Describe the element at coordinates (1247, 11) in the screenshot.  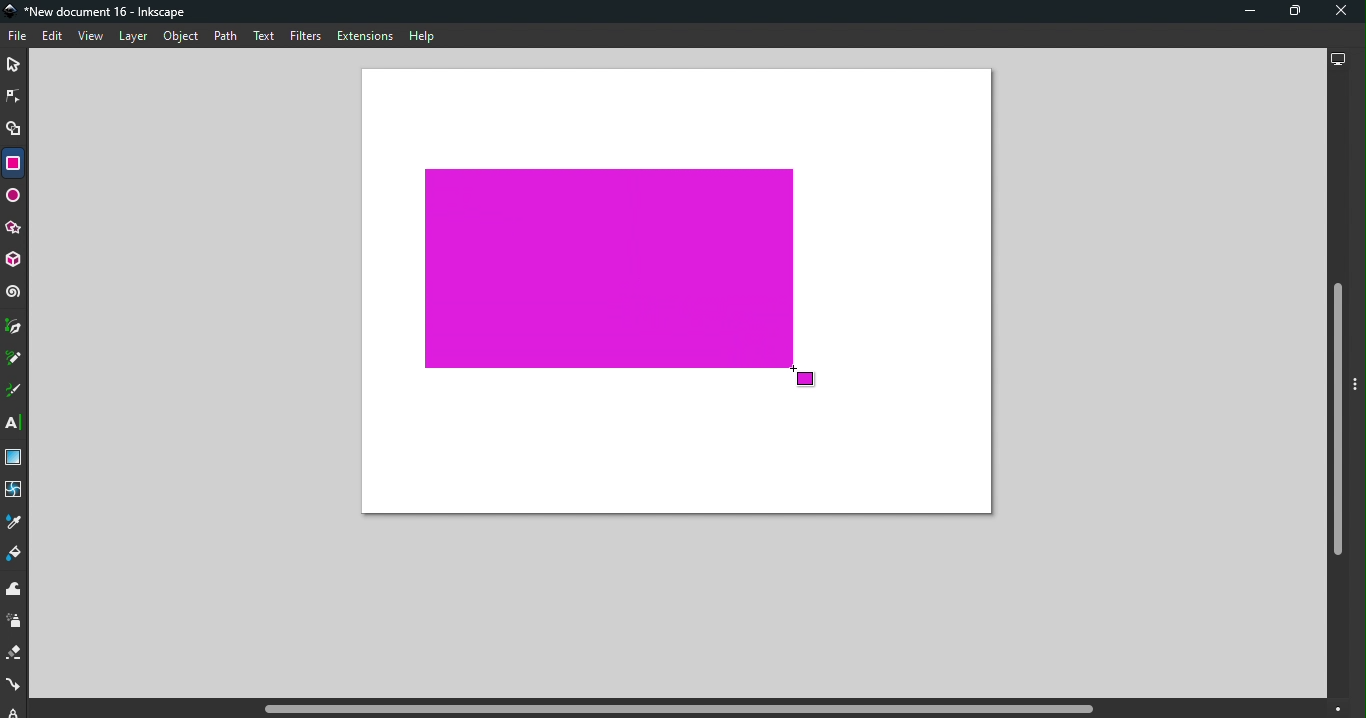
I see `Minimize` at that location.